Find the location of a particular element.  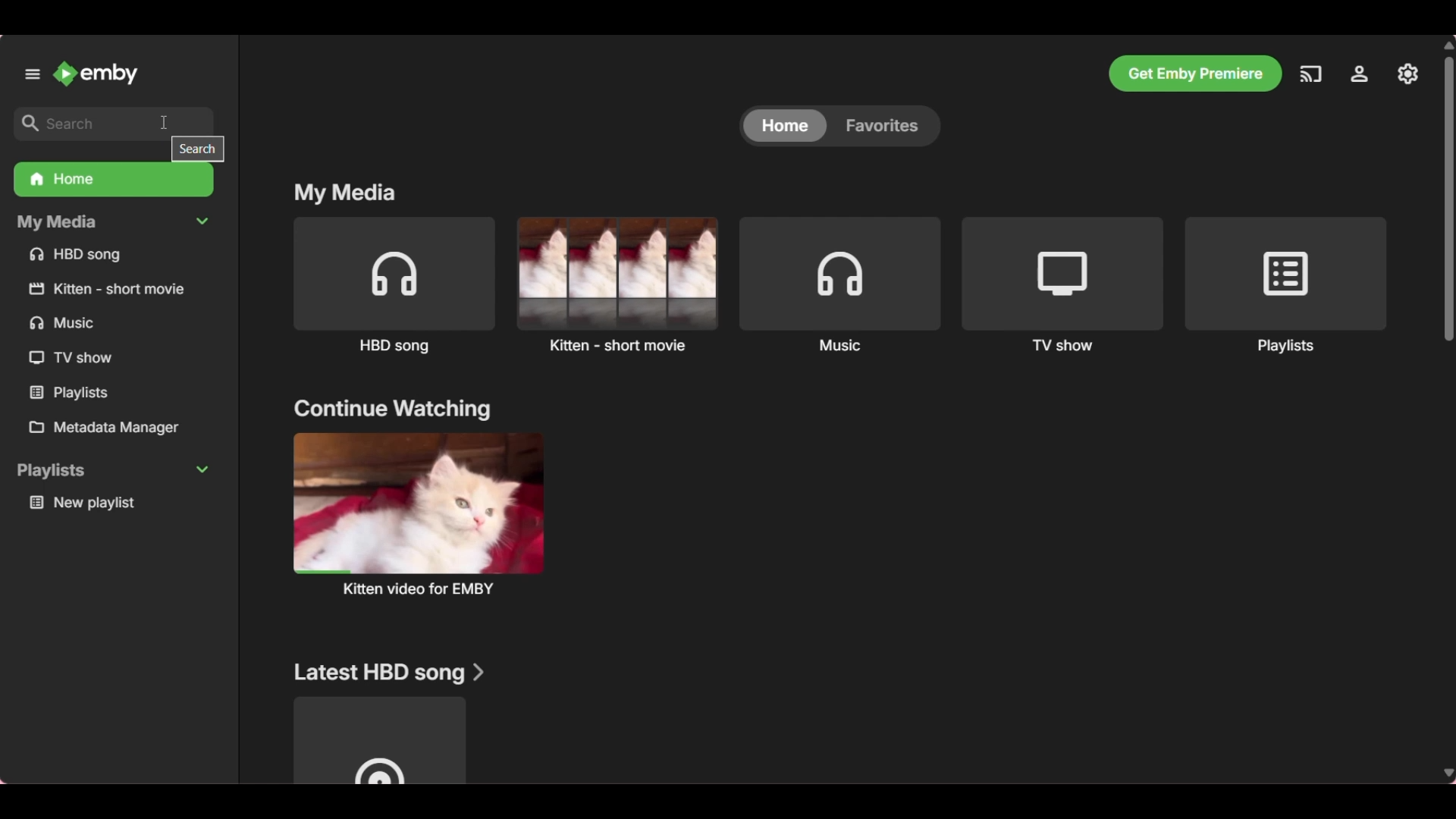

Playlists is located at coordinates (74, 393).